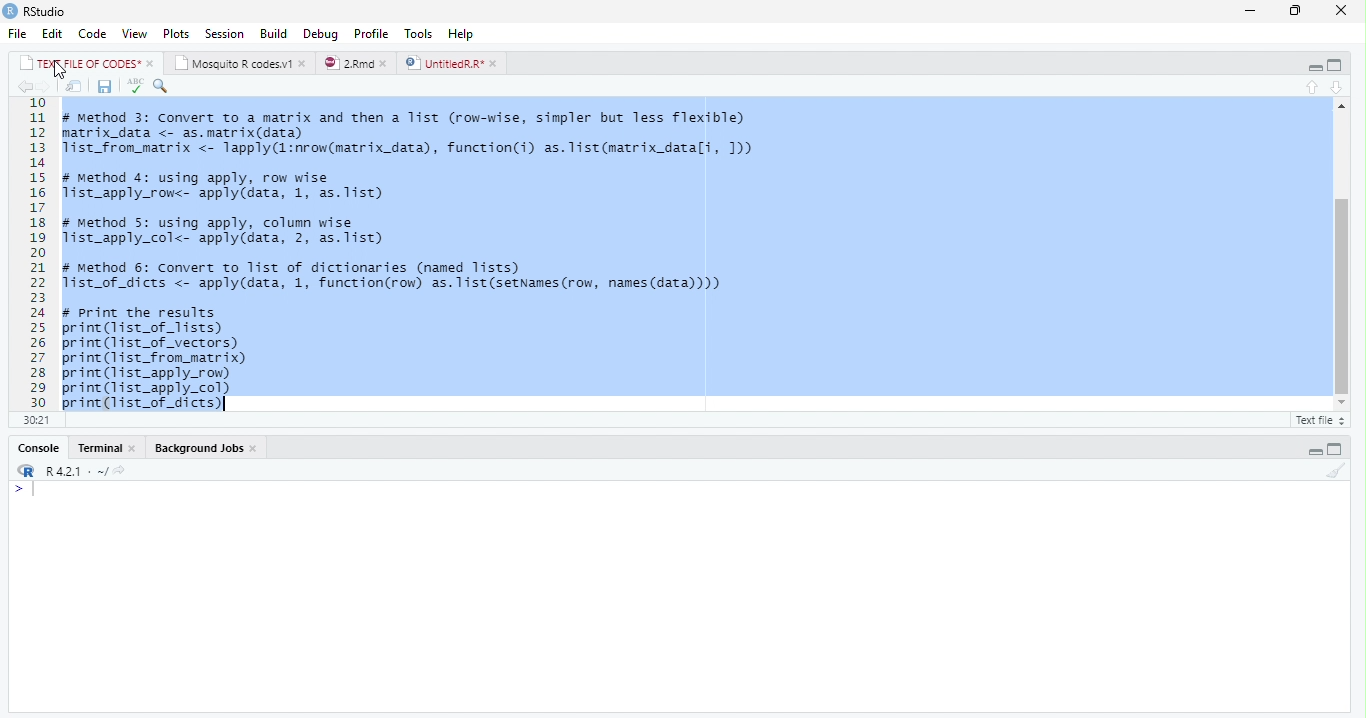 The width and height of the screenshot is (1366, 718). Describe the element at coordinates (162, 86) in the screenshot. I see `Find/Replace` at that location.